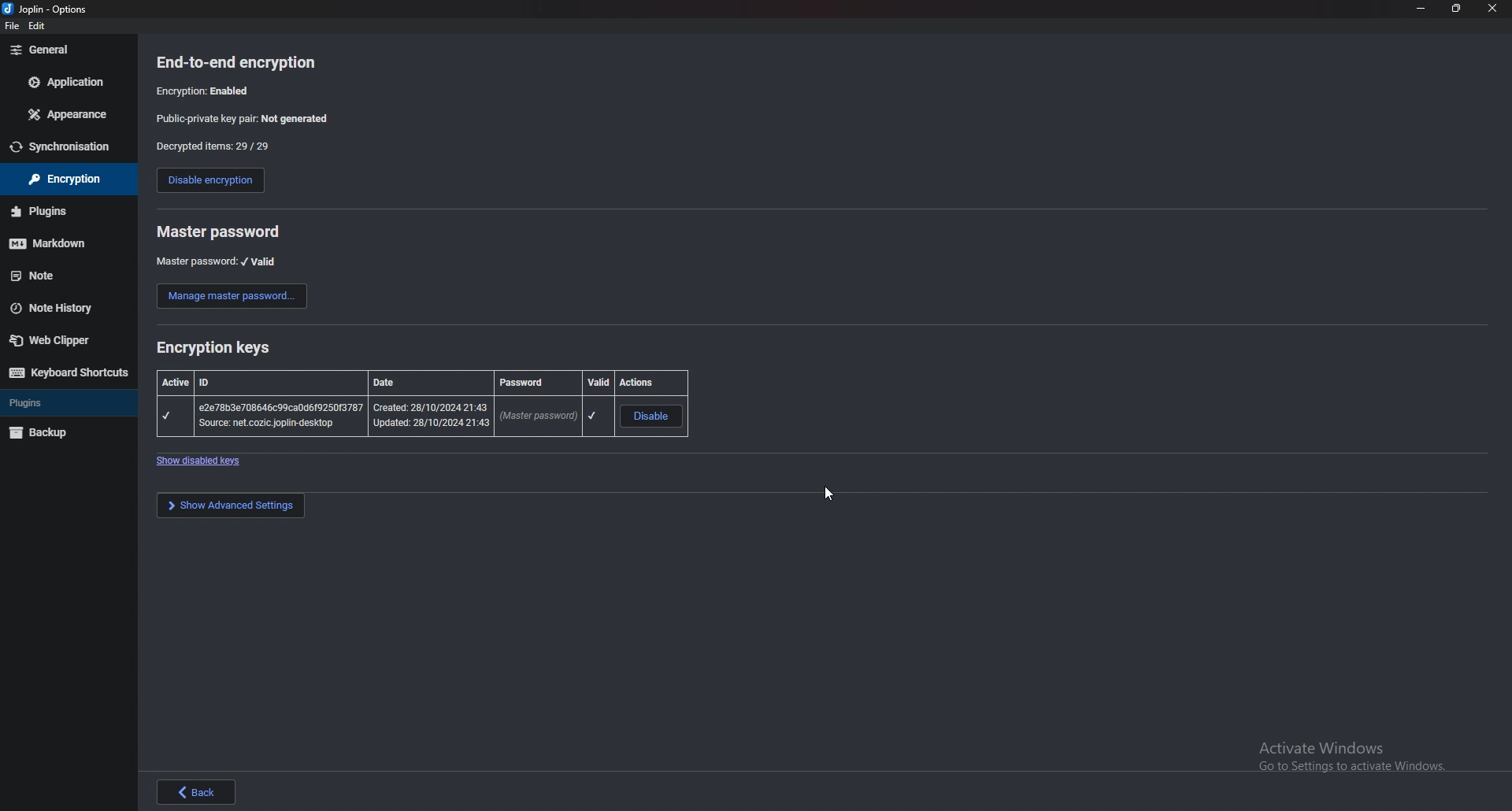  Describe the element at coordinates (220, 231) in the screenshot. I see `master password` at that location.